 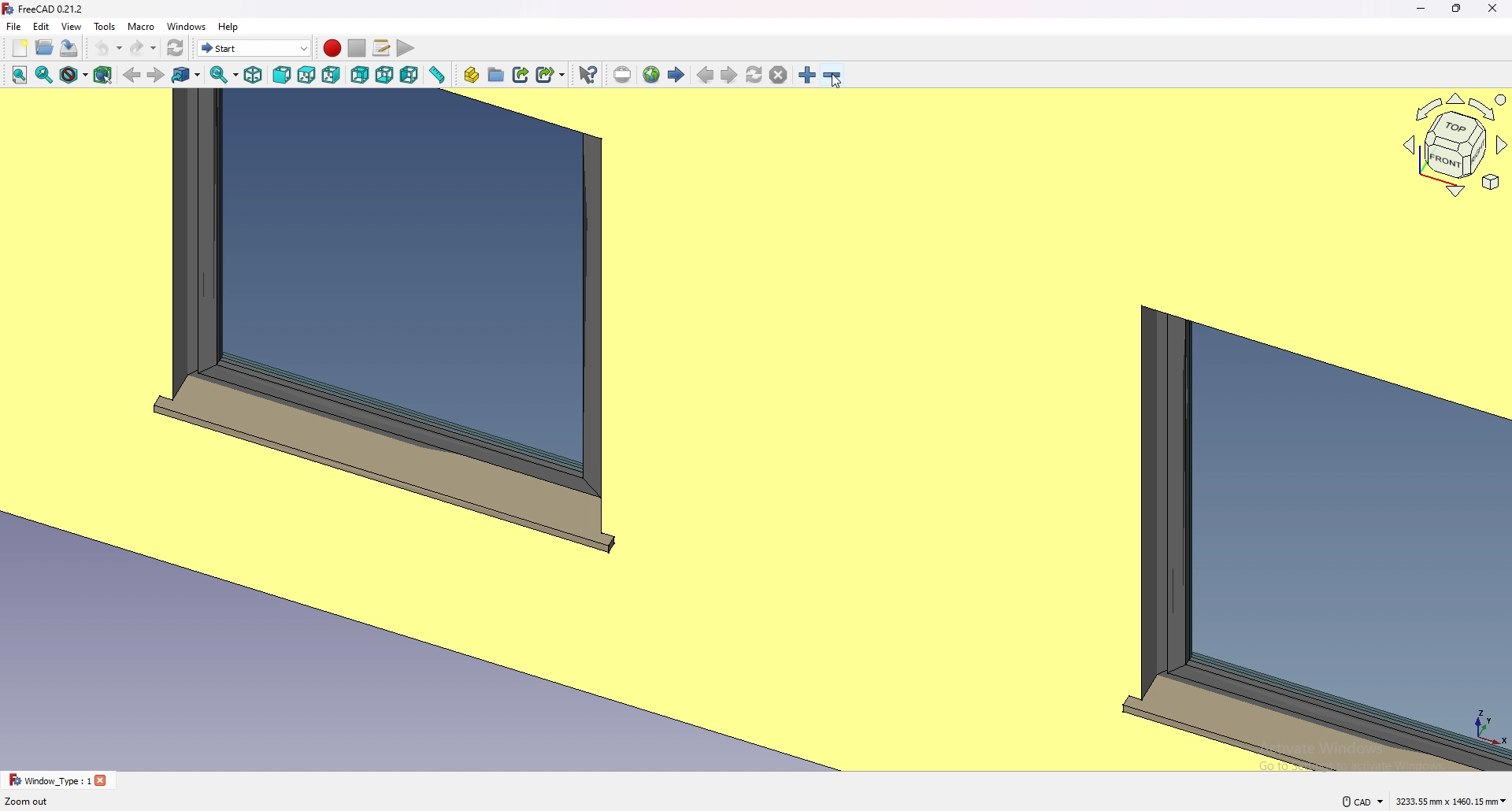 I want to click on next page, so click(x=730, y=76).